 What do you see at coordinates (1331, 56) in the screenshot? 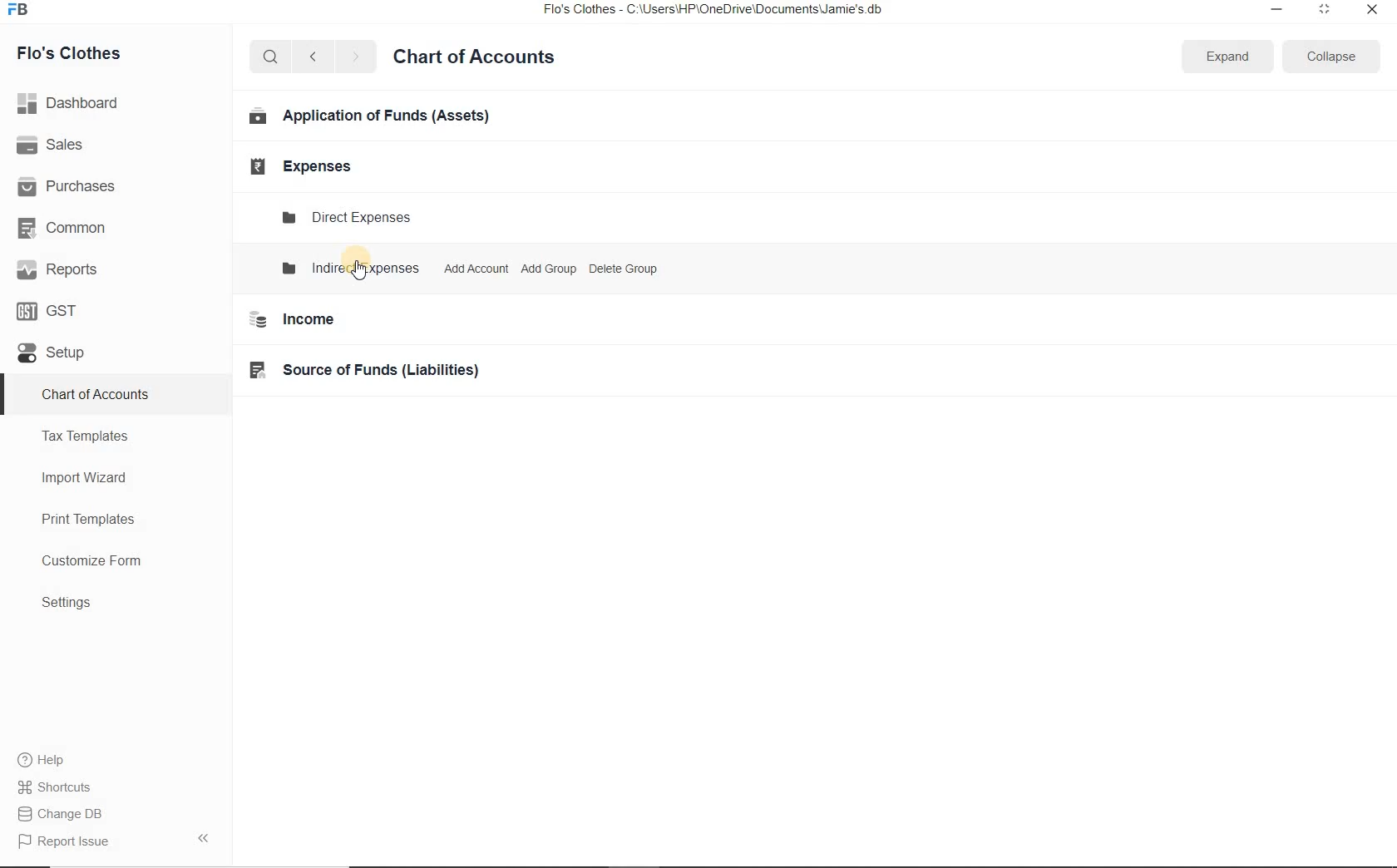
I see `Collapse` at bounding box center [1331, 56].